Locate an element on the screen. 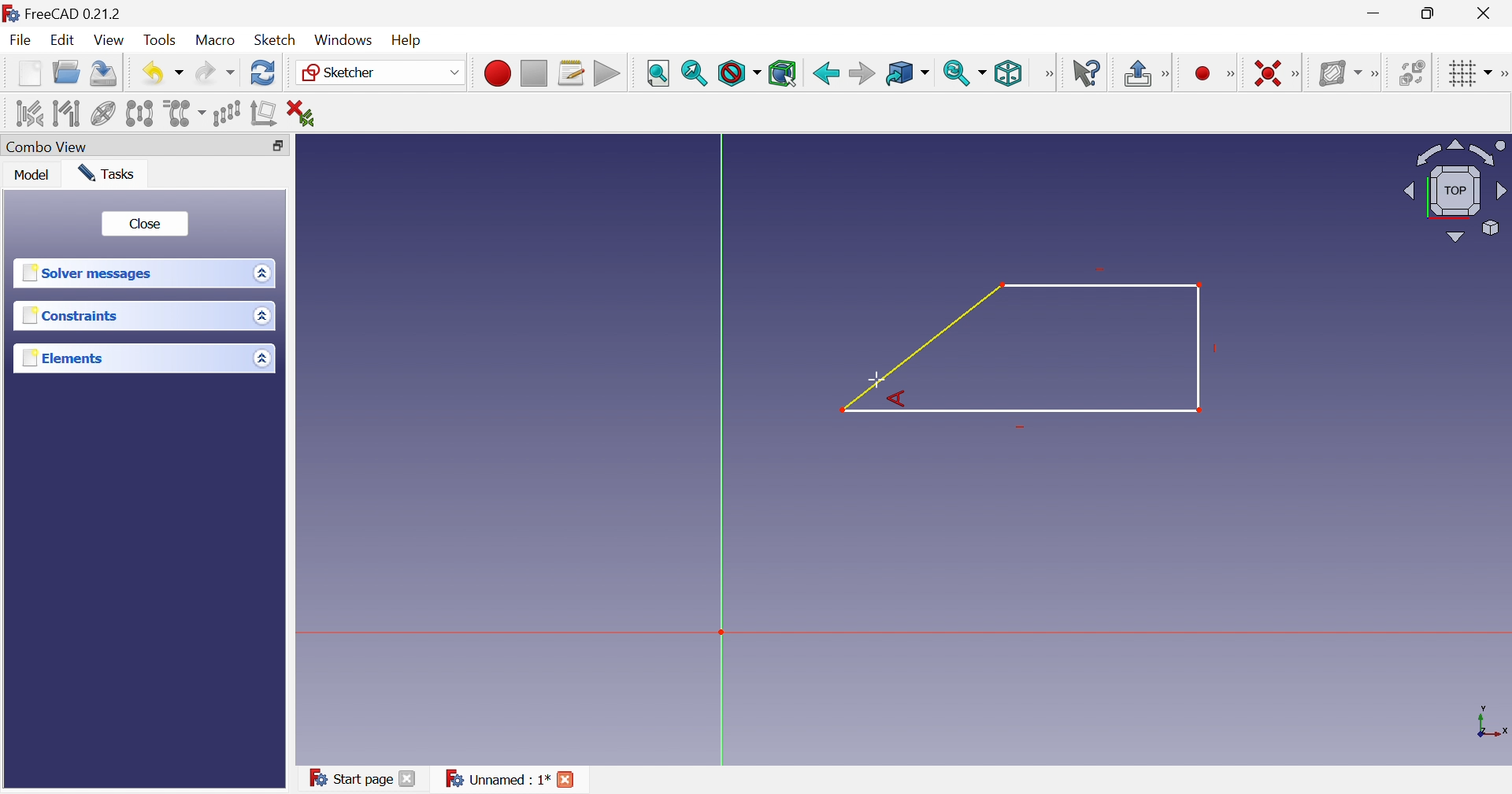  Fit selection is located at coordinates (695, 75).